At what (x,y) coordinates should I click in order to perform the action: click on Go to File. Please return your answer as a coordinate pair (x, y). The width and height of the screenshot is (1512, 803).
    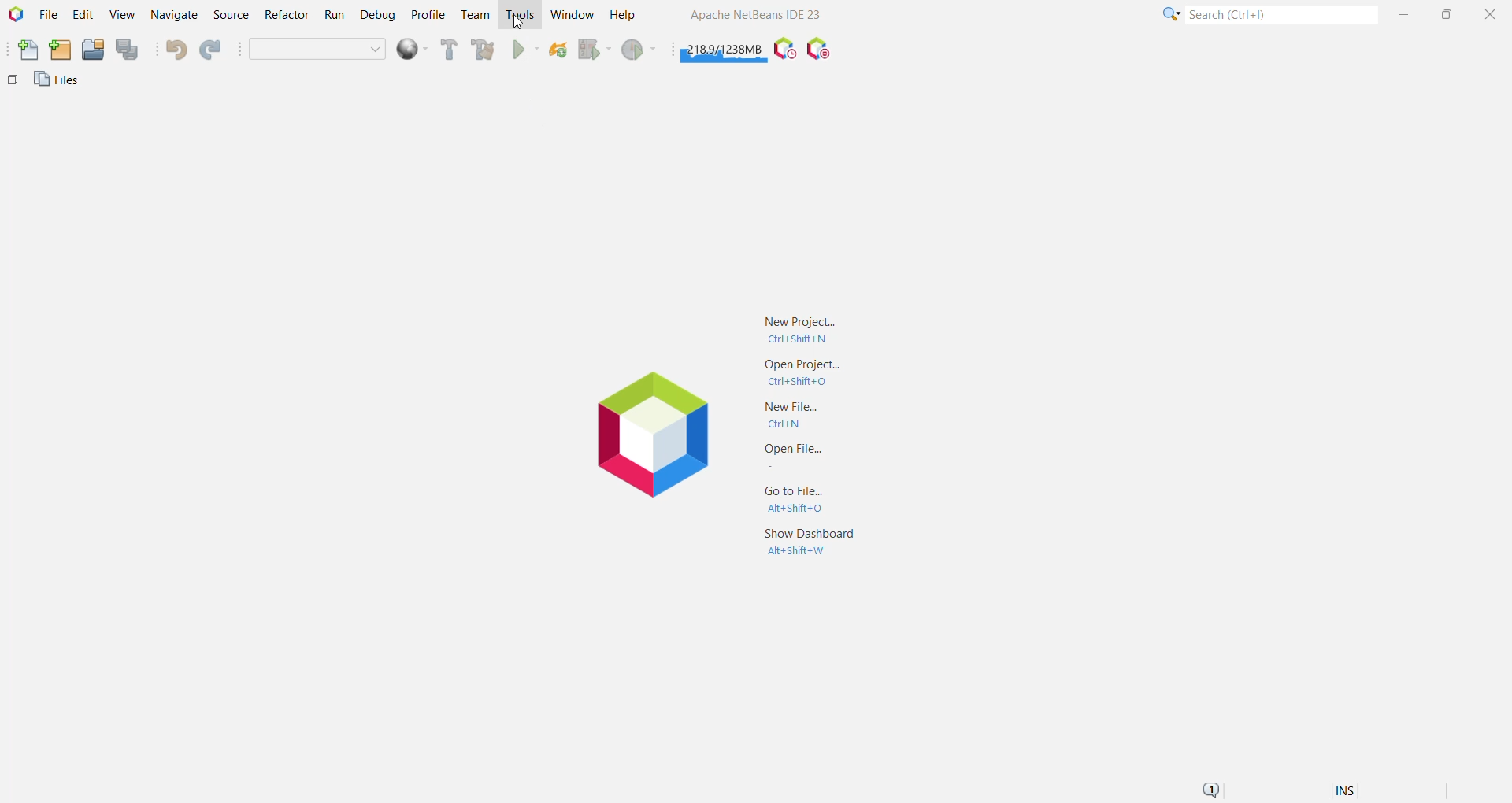
    Looking at the image, I should click on (799, 500).